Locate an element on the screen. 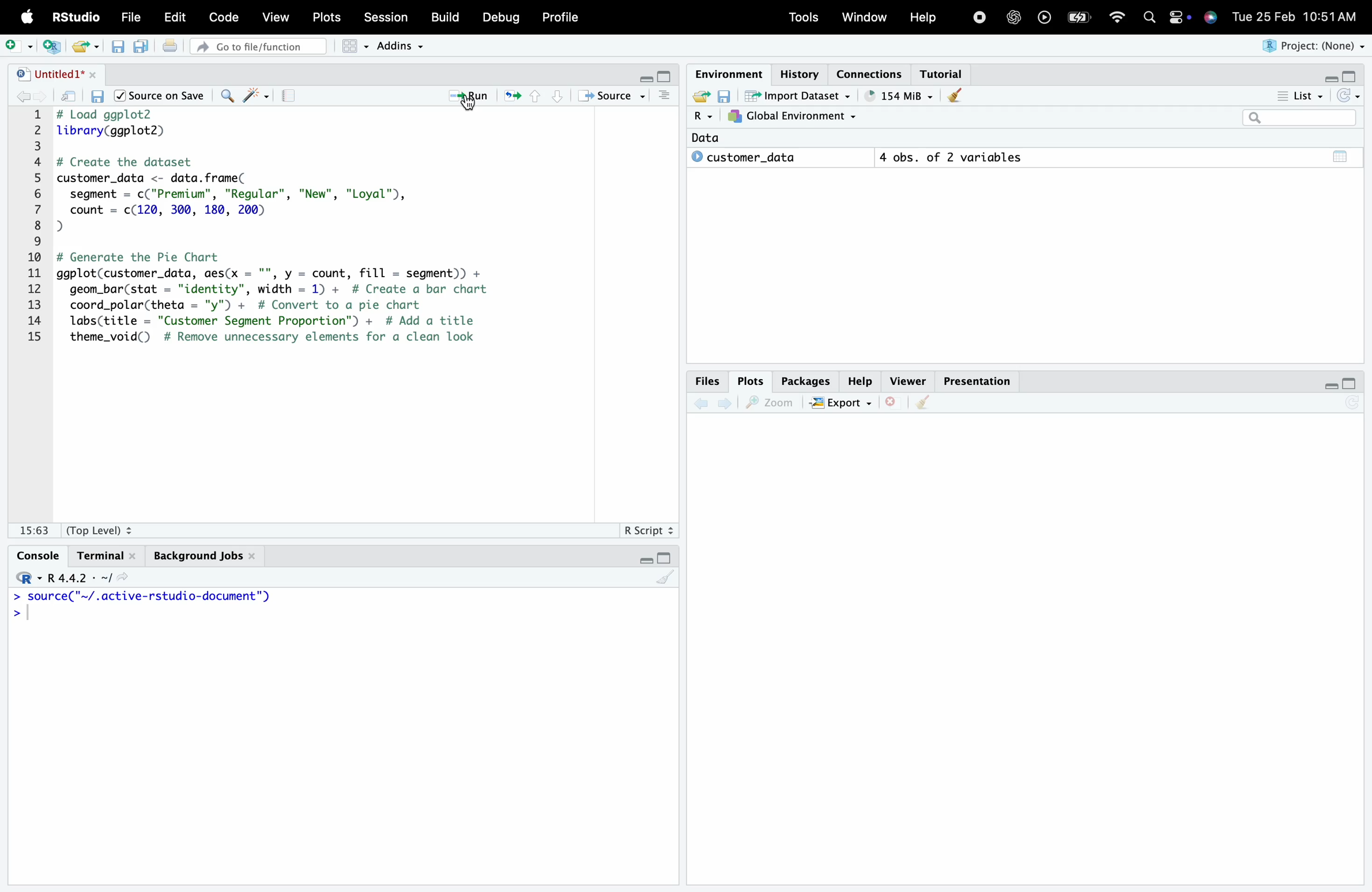 This screenshot has width=1372, height=892. minimise is located at coordinates (1327, 79).